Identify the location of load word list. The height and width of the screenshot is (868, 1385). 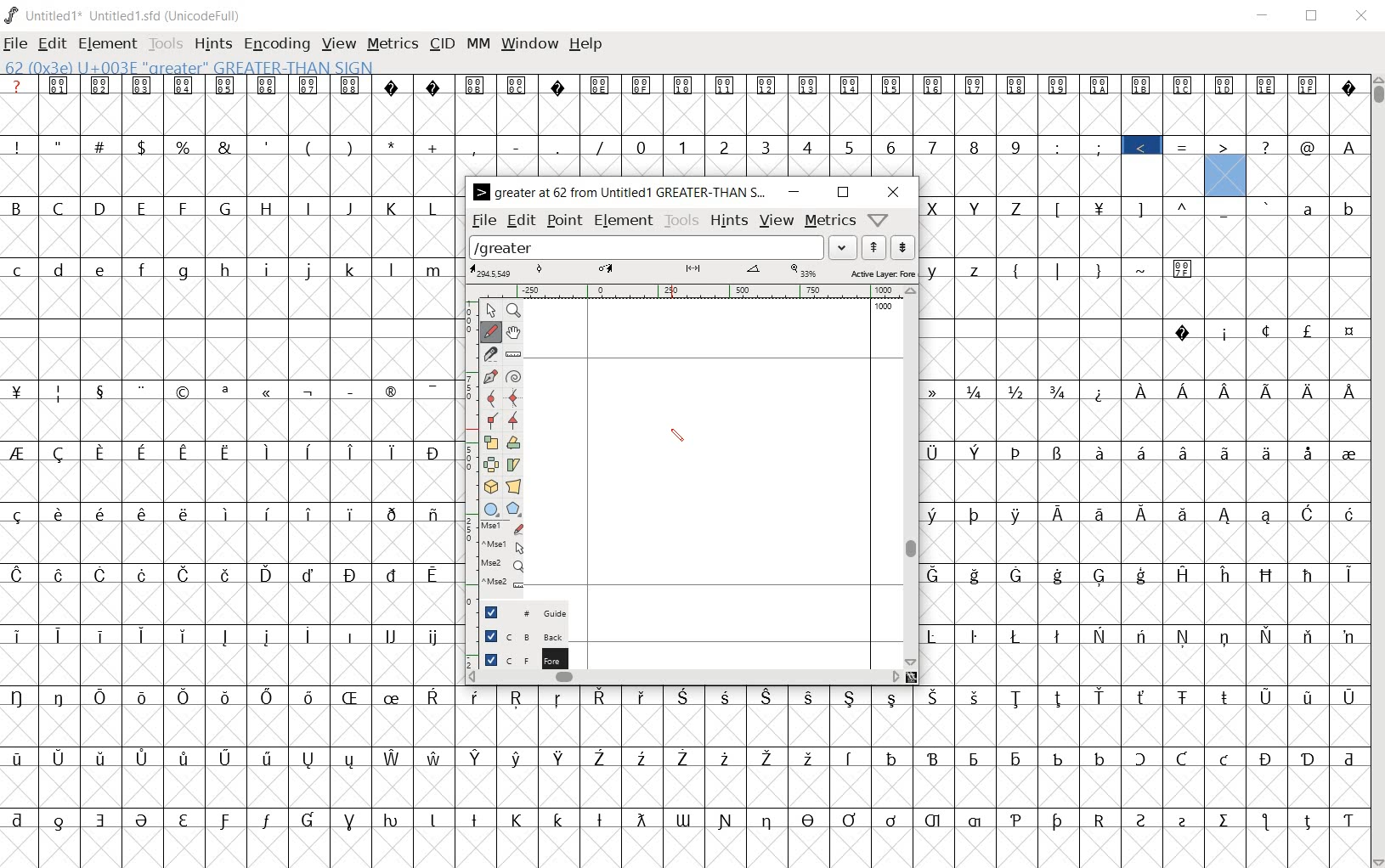
(664, 247).